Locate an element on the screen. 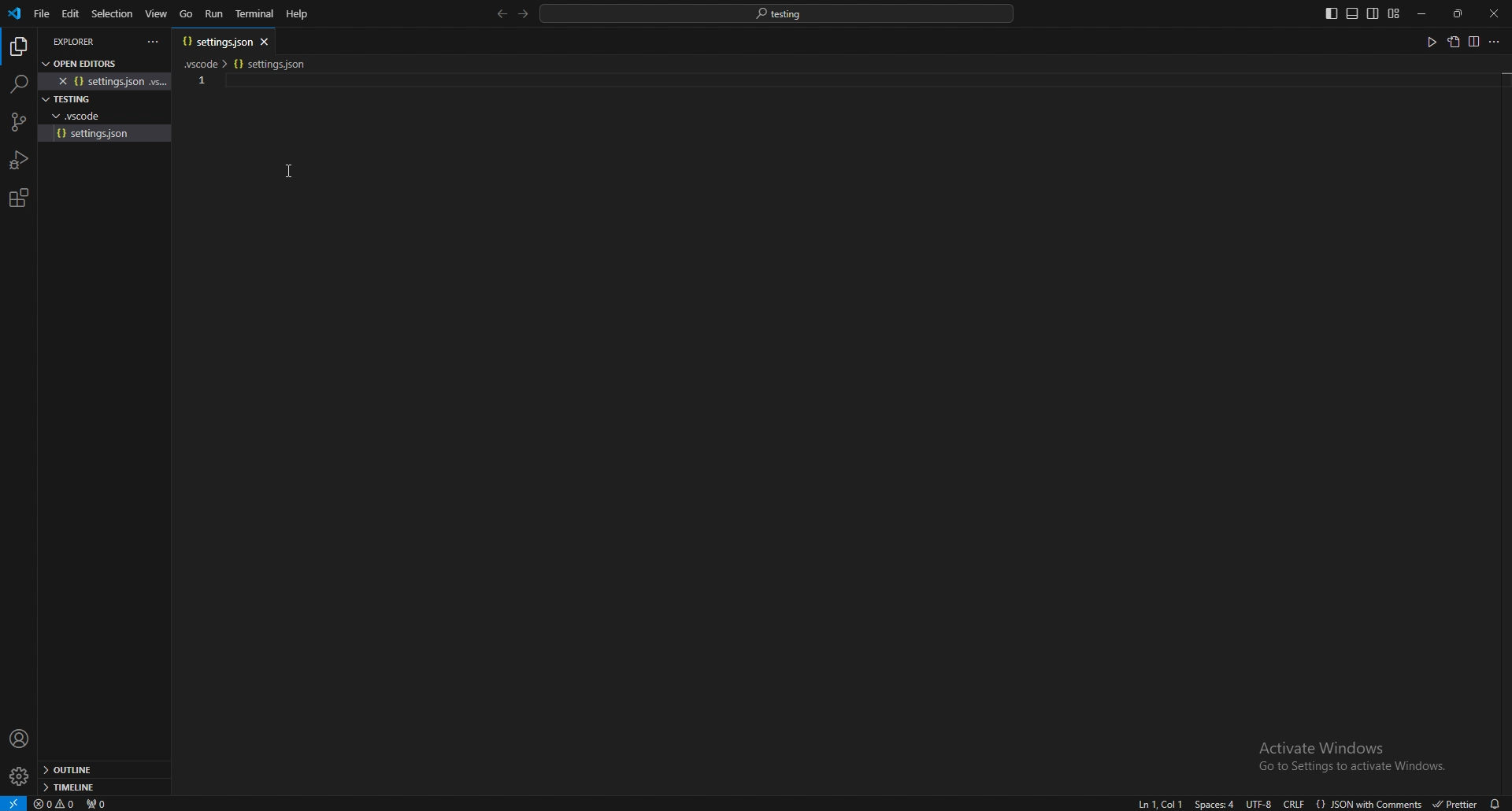 The height and width of the screenshot is (811, 1512). search is located at coordinates (18, 83).